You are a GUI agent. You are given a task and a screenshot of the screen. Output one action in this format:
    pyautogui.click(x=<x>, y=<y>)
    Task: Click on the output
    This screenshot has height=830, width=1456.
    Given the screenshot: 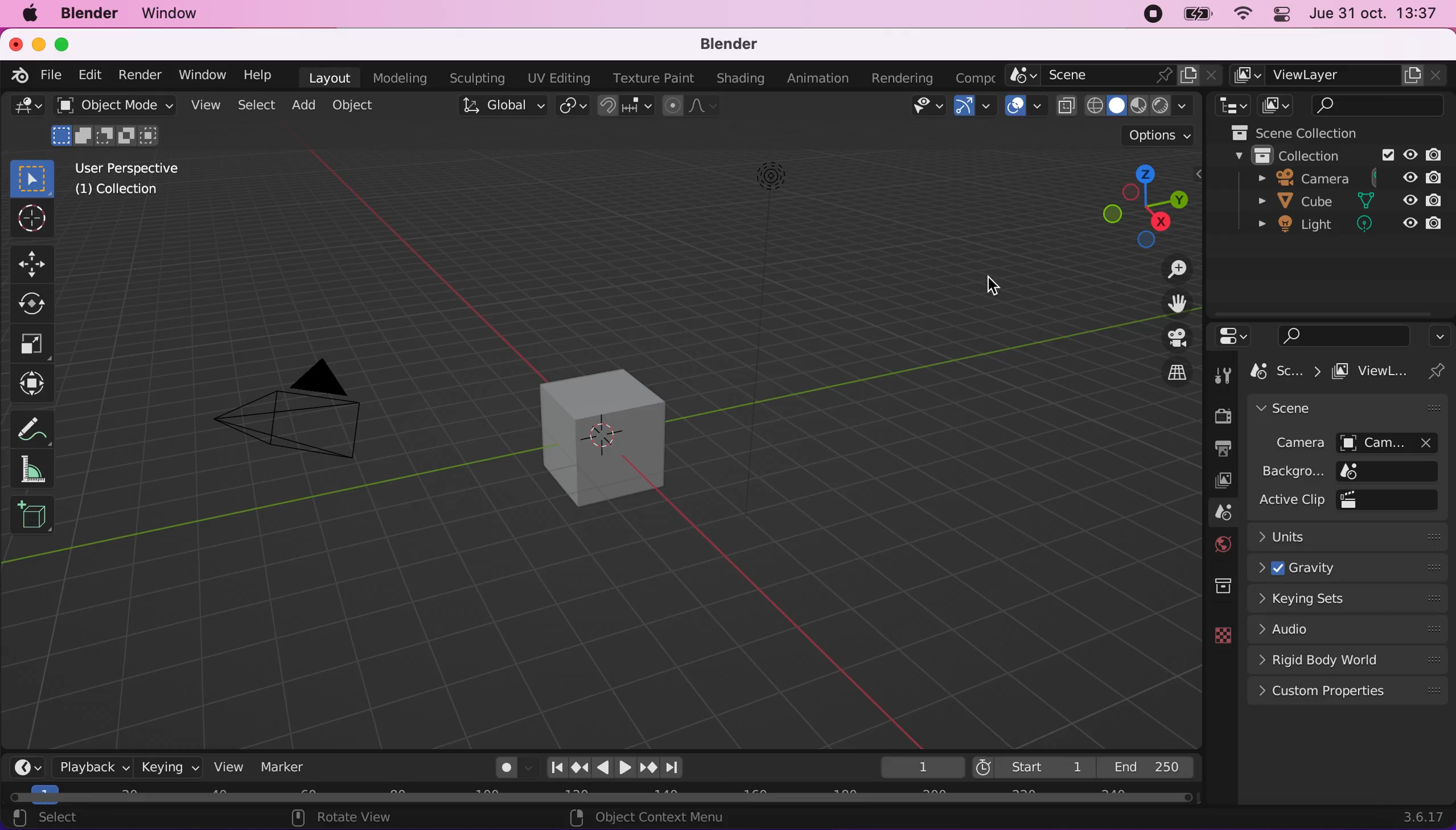 What is the action you would take?
    pyautogui.click(x=1216, y=449)
    